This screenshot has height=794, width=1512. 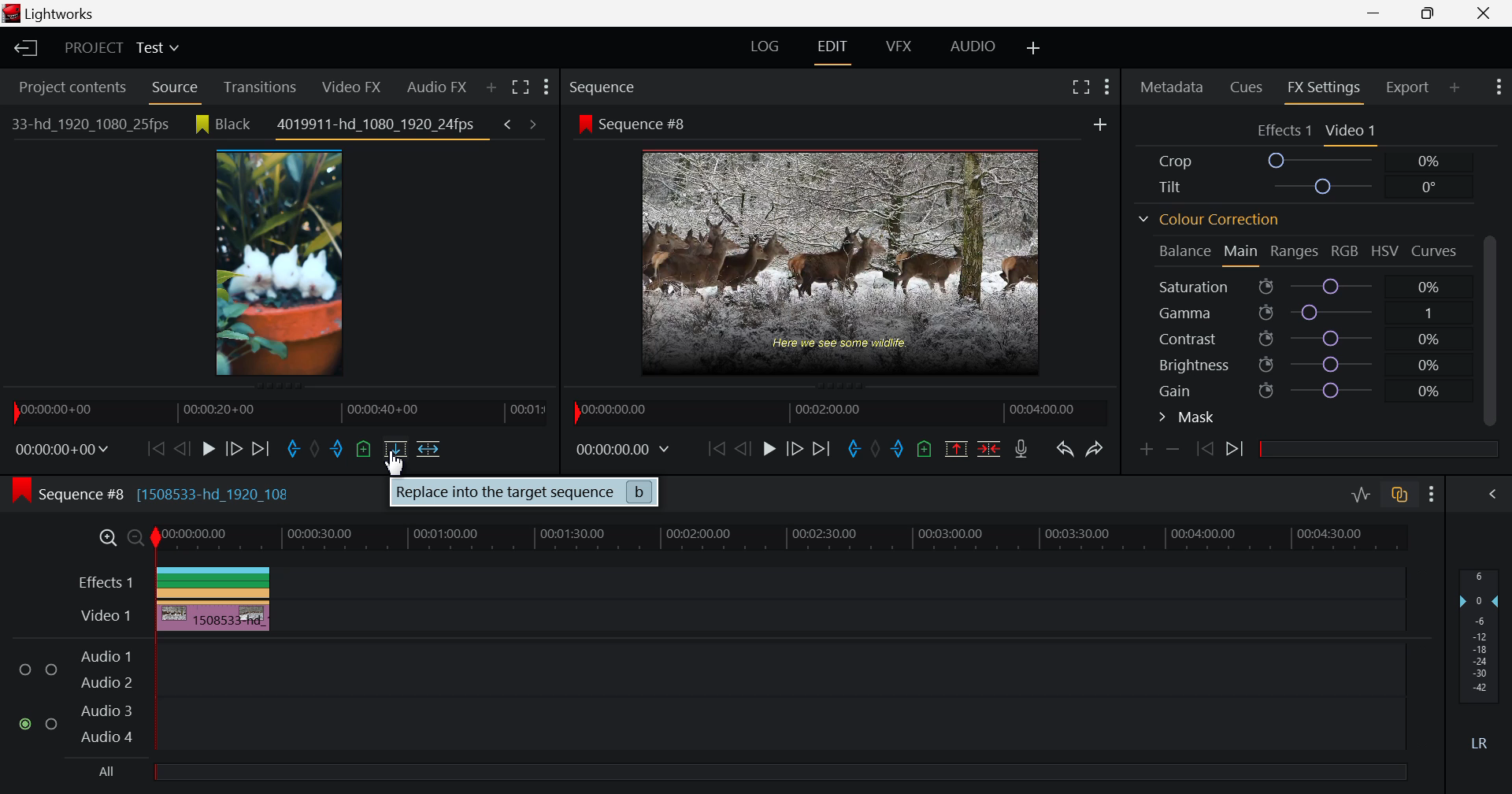 What do you see at coordinates (1282, 131) in the screenshot?
I see `Effects Settings` at bounding box center [1282, 131].